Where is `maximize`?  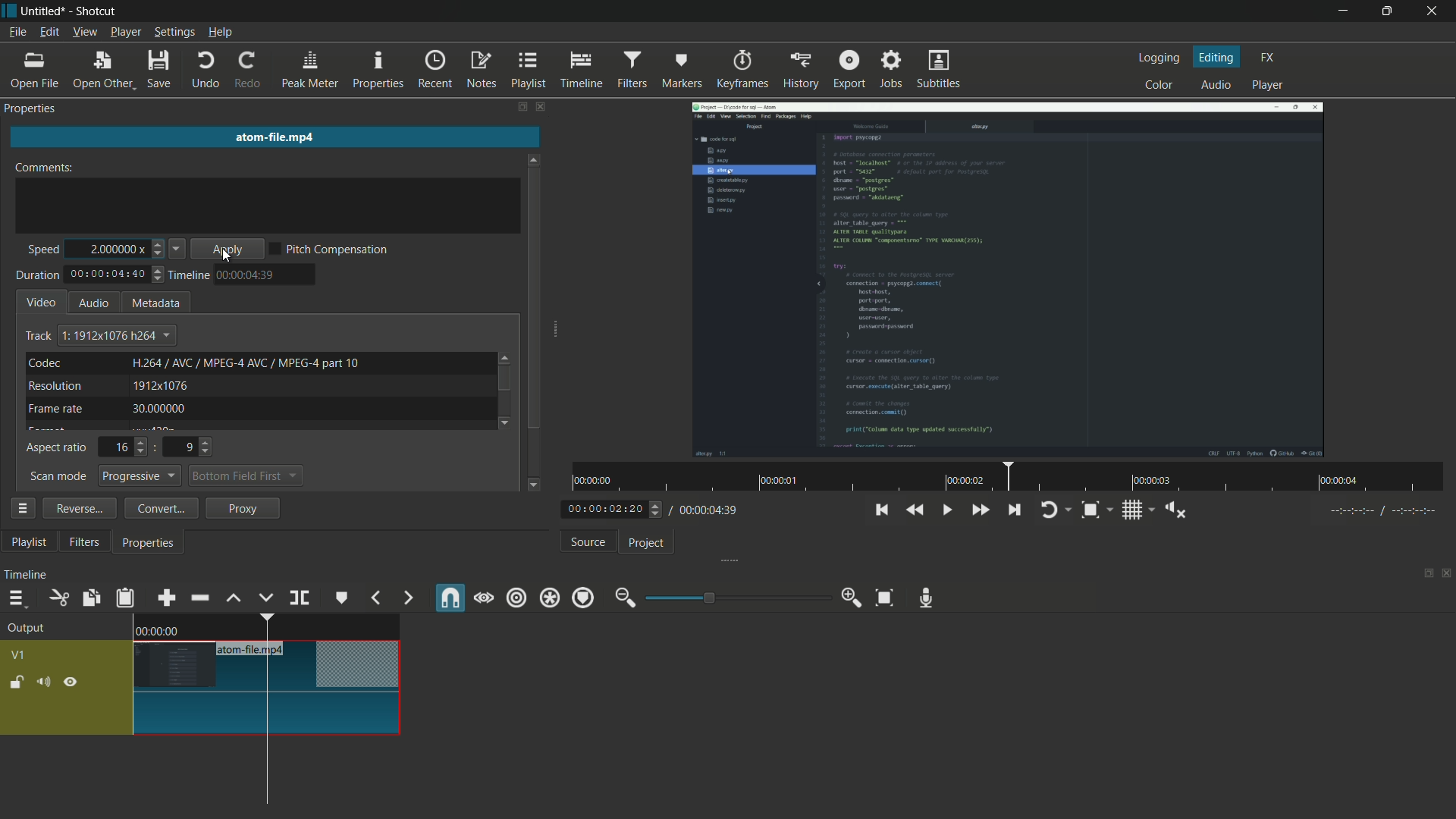
maximize is located at coordinates (1389, 10).